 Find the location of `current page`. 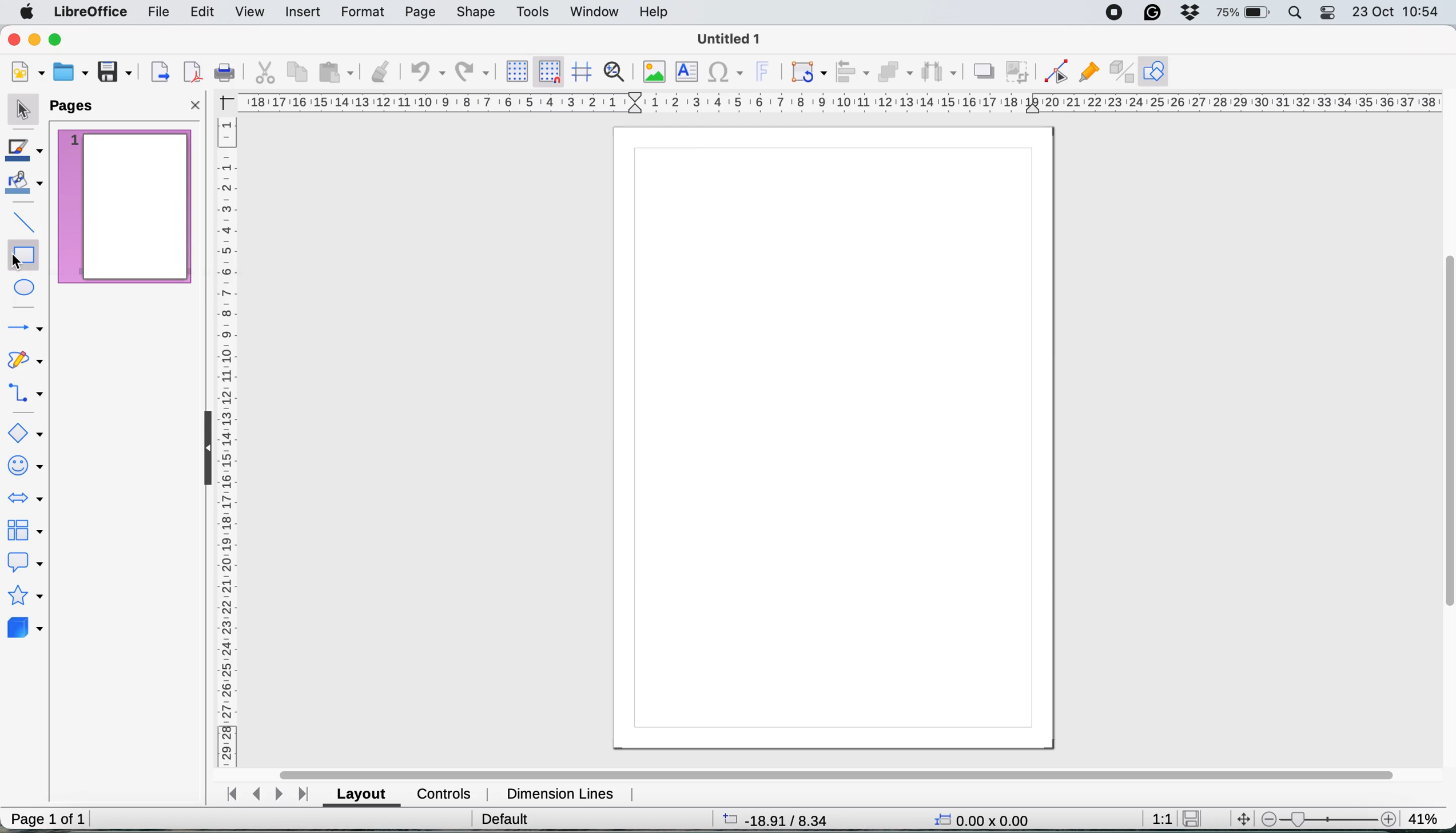

current page is located at coordinates (124, 206).